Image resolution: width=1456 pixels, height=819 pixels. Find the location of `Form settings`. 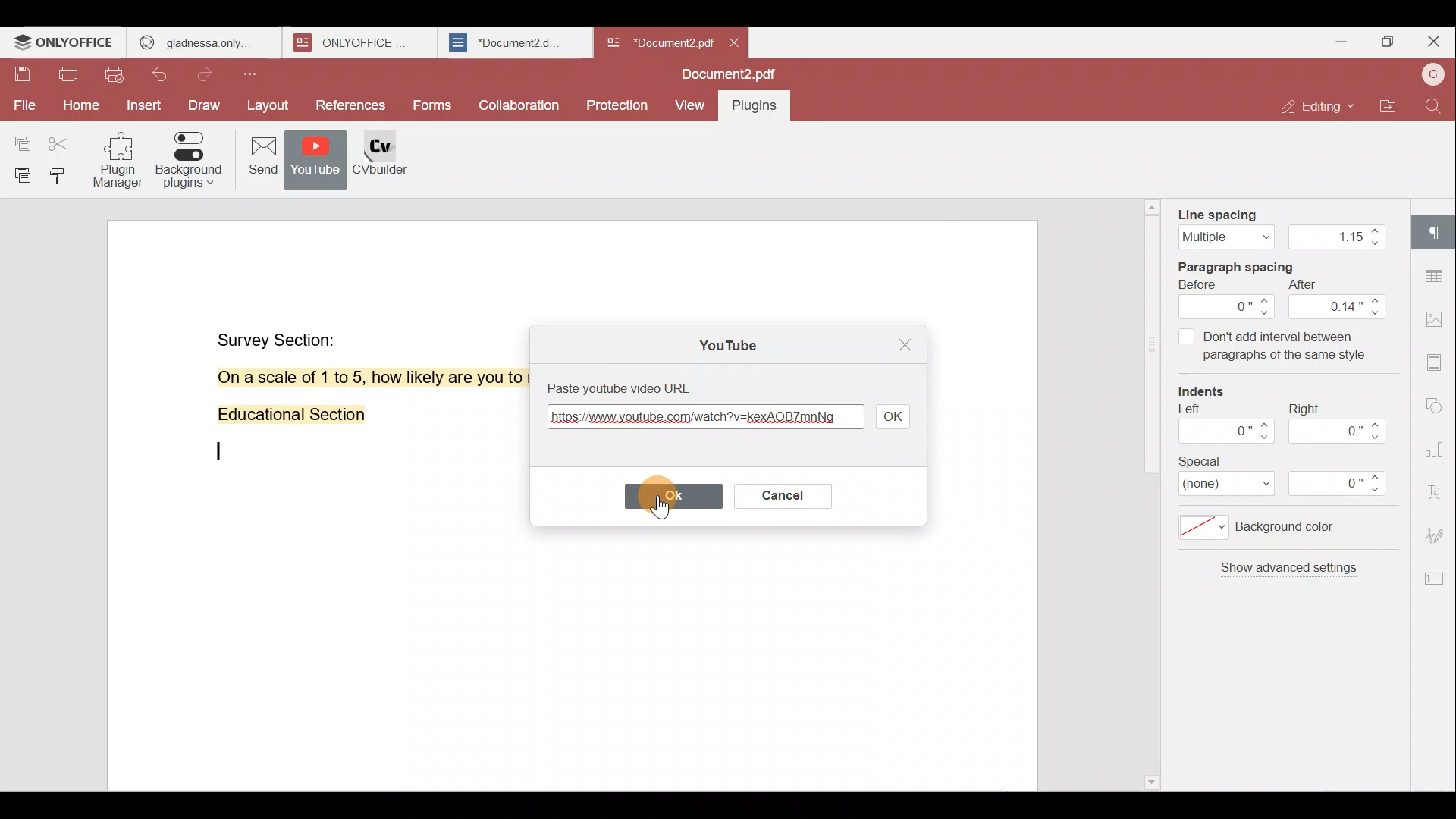

Form settings is located at coordinates (1429, 579).